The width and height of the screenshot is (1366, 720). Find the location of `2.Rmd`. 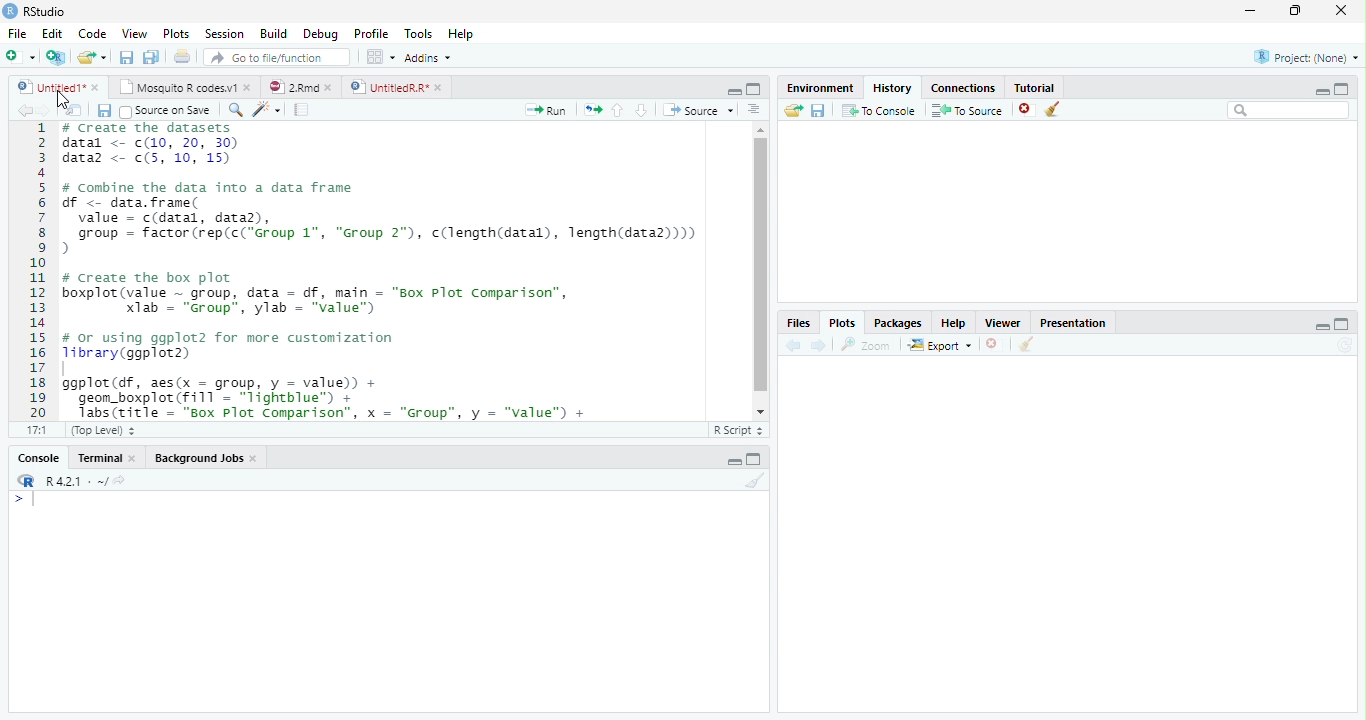

2.Rmd is located at coordinates (292, 87).